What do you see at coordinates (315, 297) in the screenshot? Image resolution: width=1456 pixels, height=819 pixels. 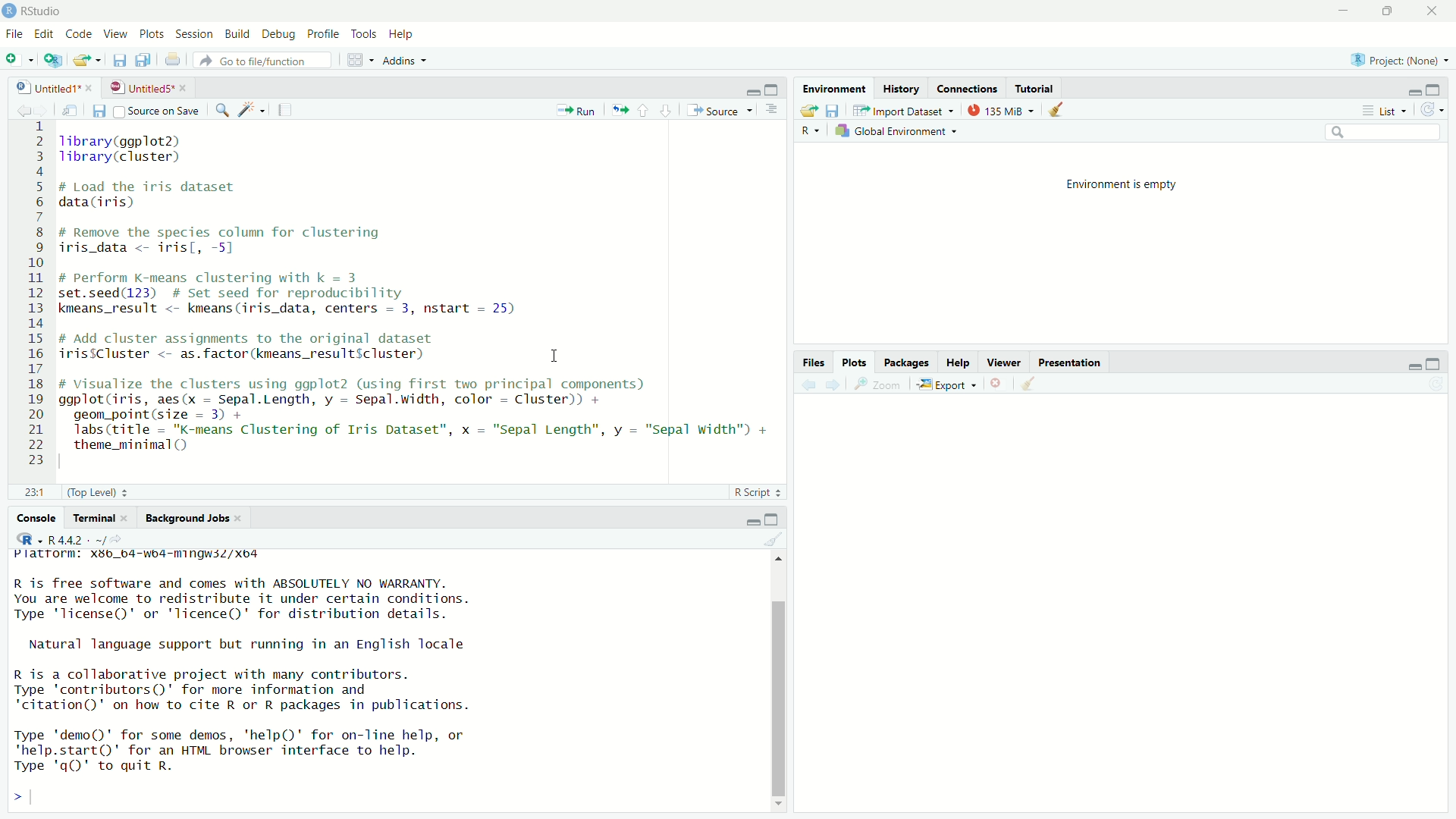 I see `# Perform K-means clustering with k = 3   set.seed(123) # Set seed for reproducibility   kmeans_result <- kmeans(iris_data, centers = 3, nstart = 25)` at bounding box center [315, 297].